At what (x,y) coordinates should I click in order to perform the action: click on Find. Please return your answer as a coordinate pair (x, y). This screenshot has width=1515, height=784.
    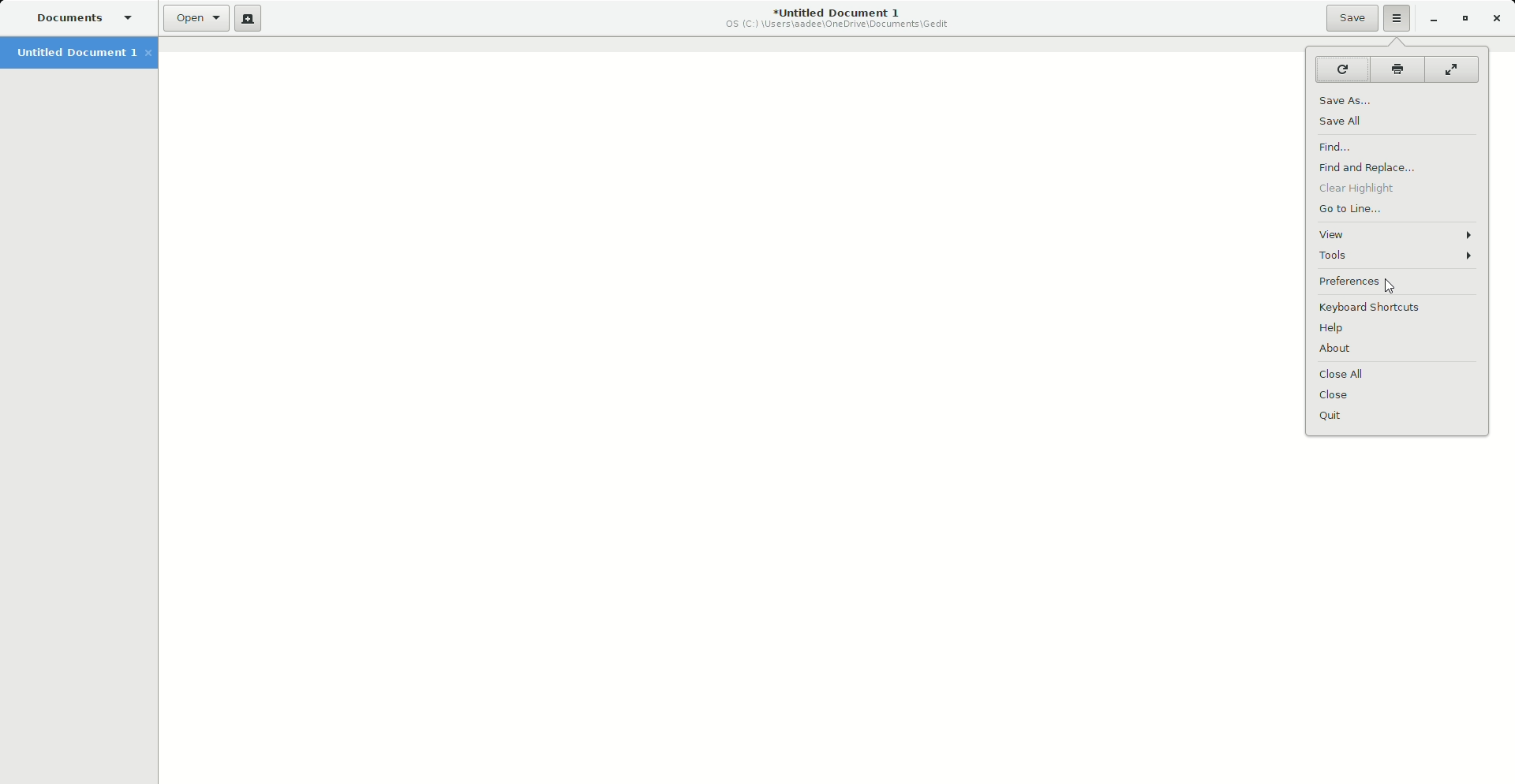
    Looking at the image, I should click on (1348, 146).